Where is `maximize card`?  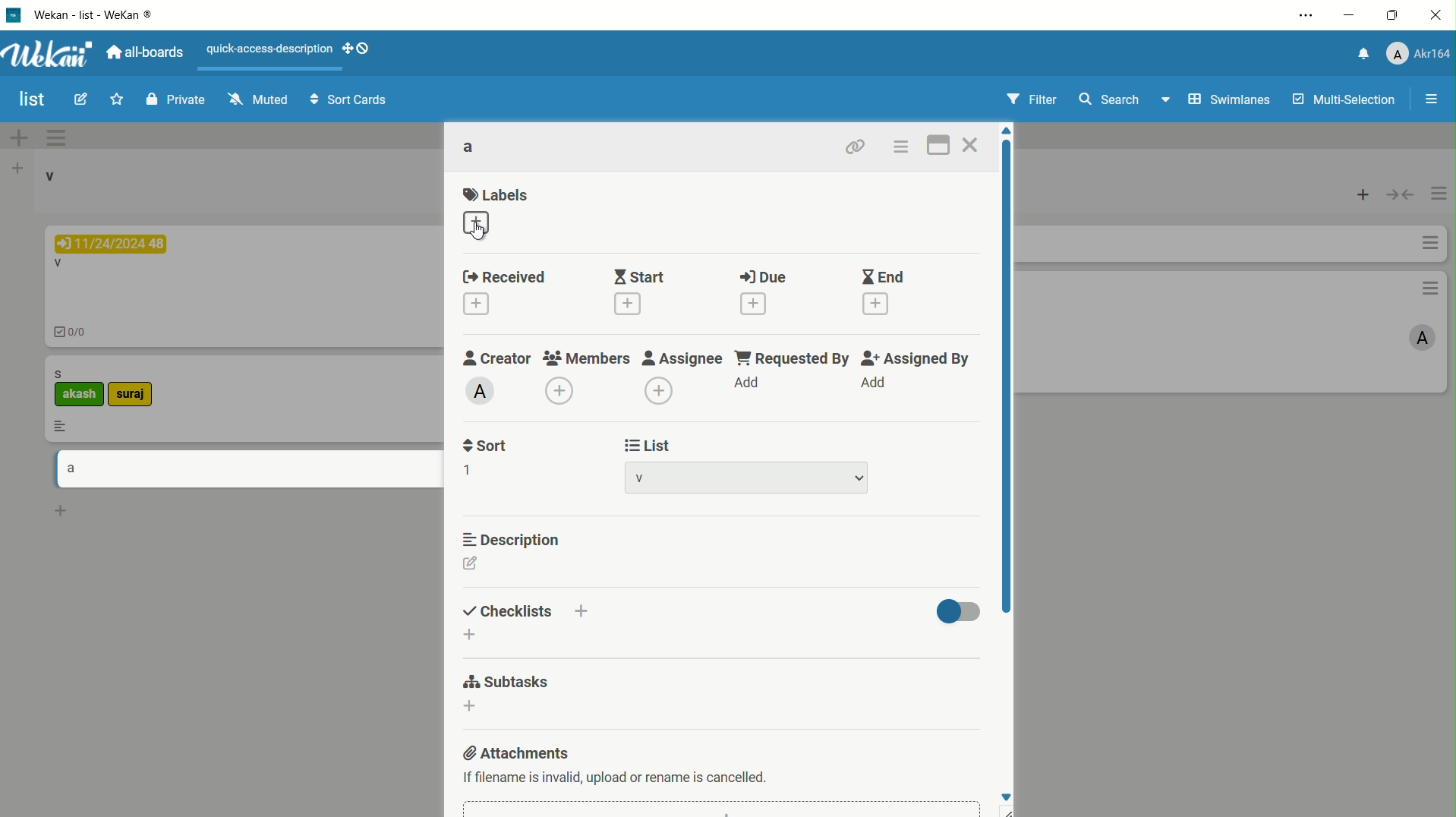
maximize card is located at coordinates (941, 144).